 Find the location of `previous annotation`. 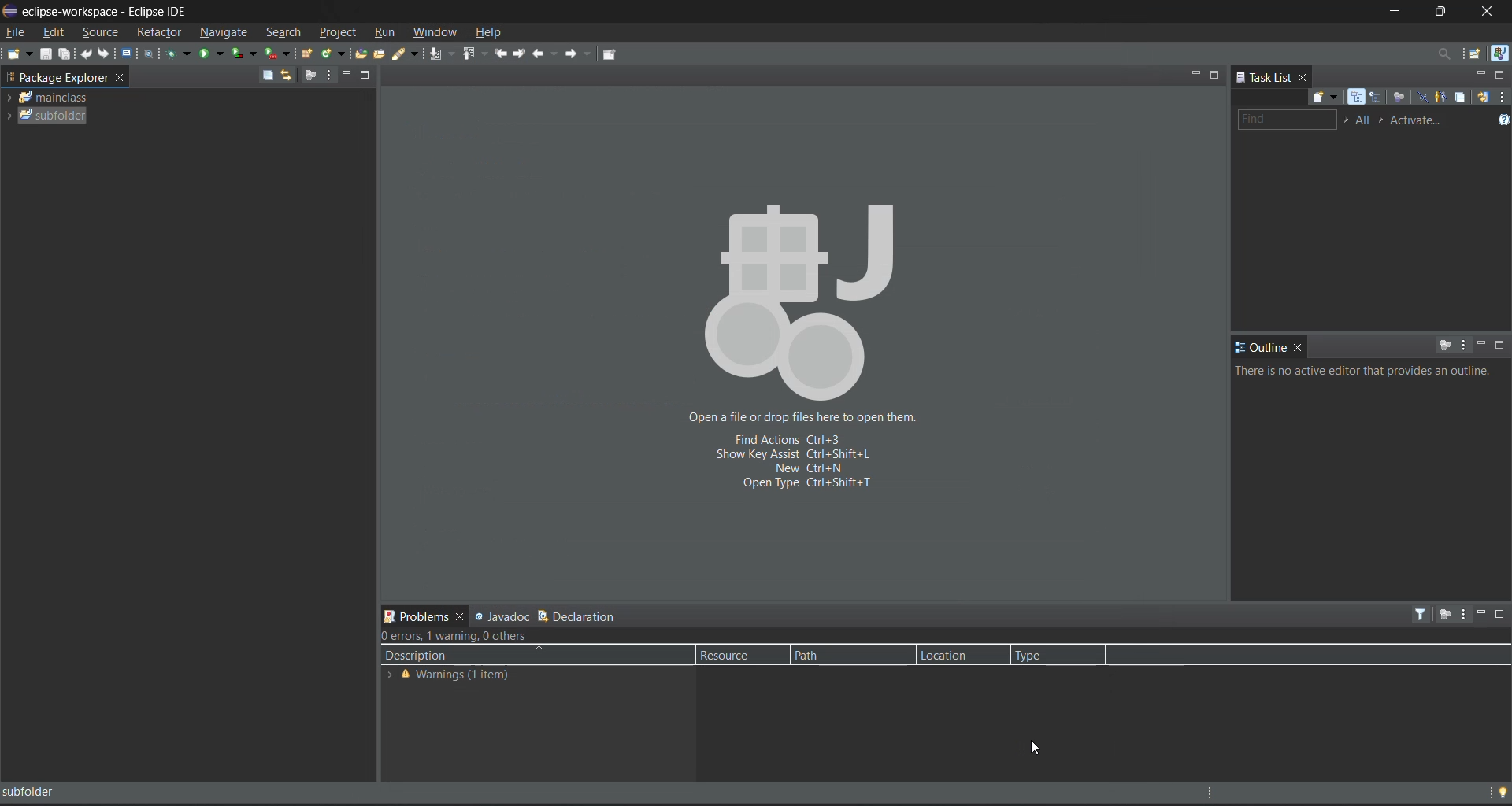

previous annotation is located at coordinates (476, 54).